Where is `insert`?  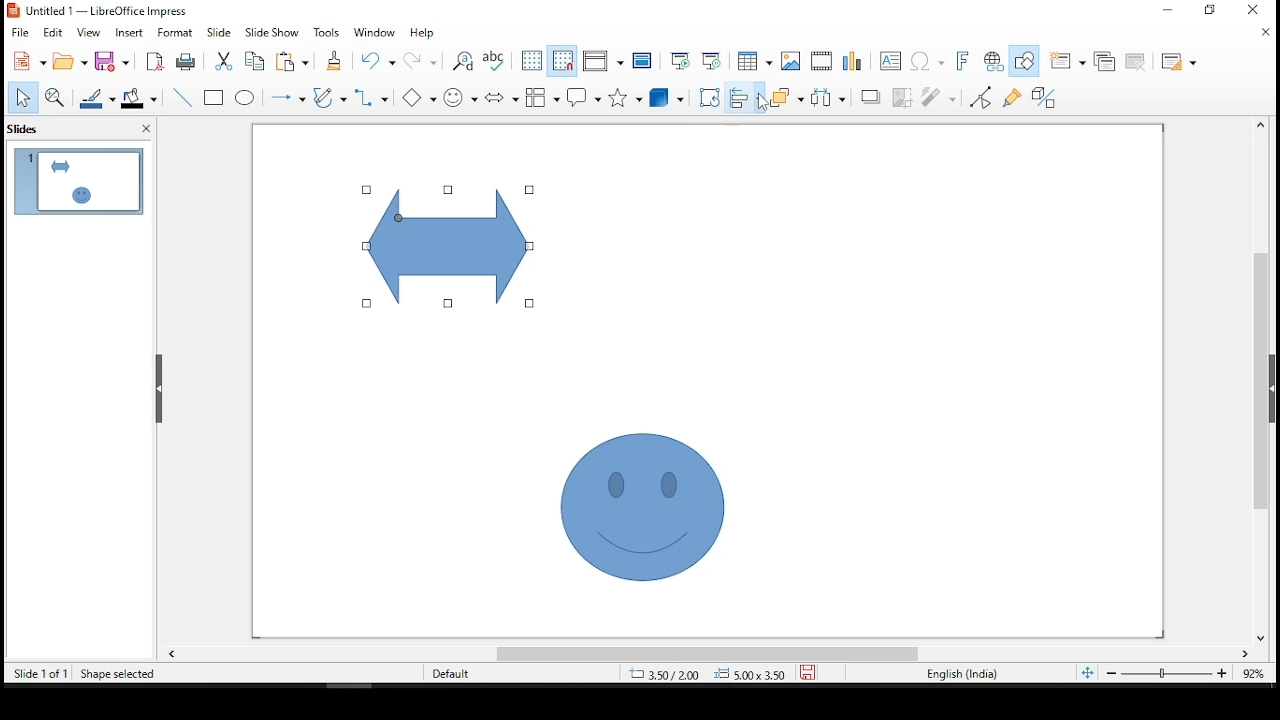 insert is located at coordinates (132, 35).